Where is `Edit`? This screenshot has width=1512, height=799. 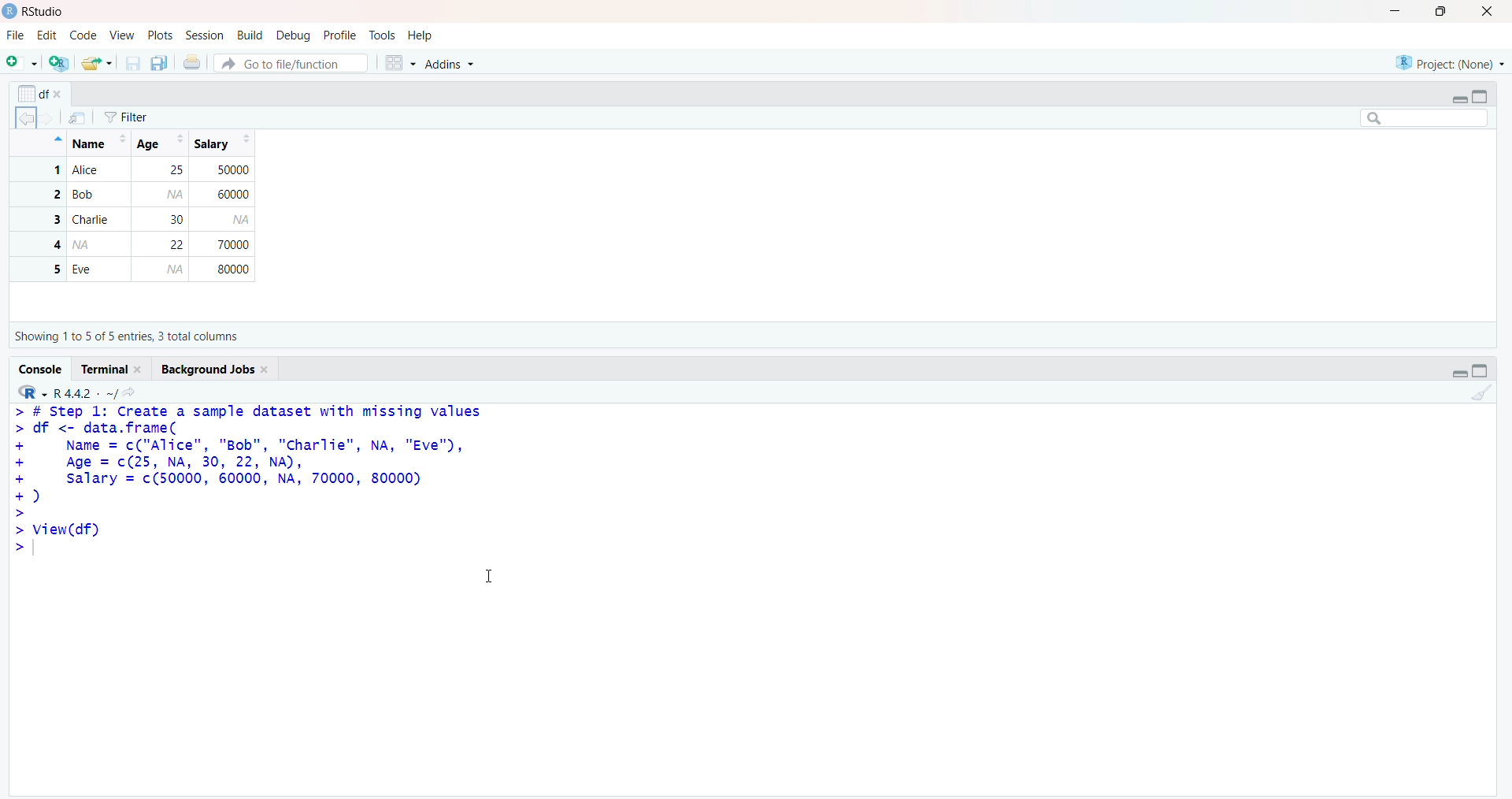 Edit is located at coordinates (46, 36).